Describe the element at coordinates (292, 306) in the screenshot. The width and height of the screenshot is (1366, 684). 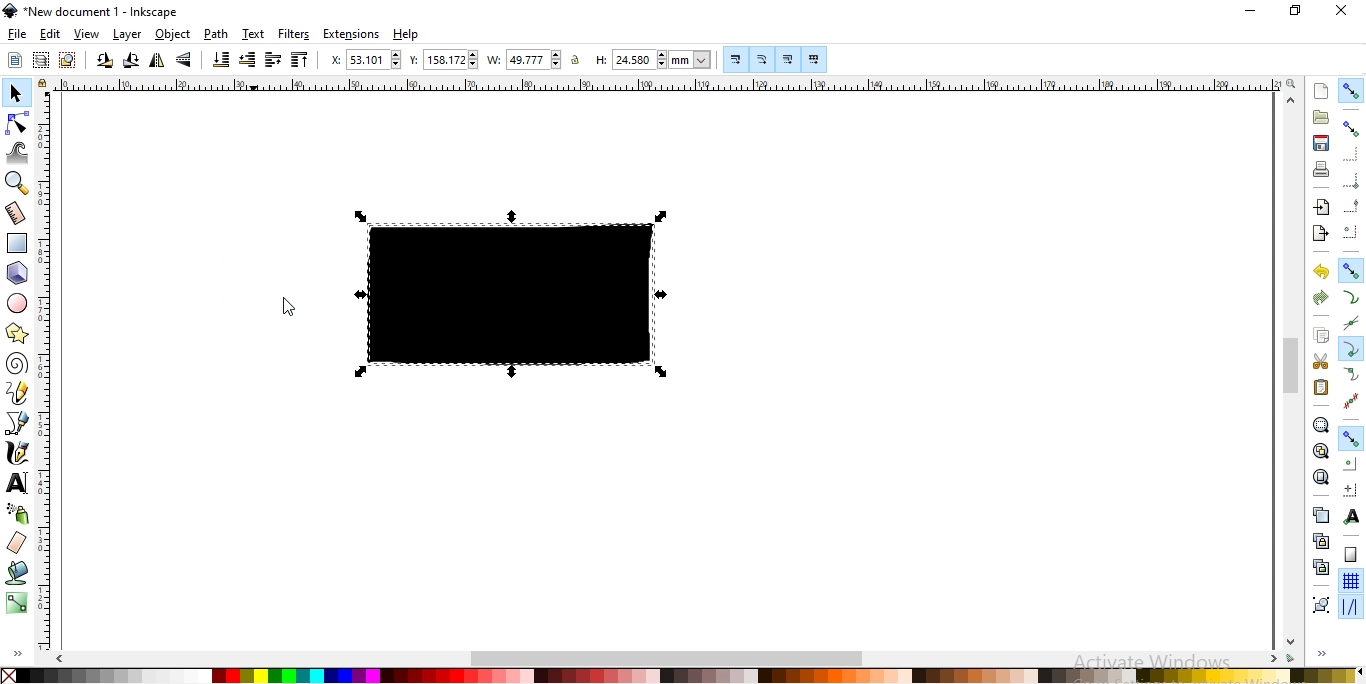
I see `Cursor` at that location.